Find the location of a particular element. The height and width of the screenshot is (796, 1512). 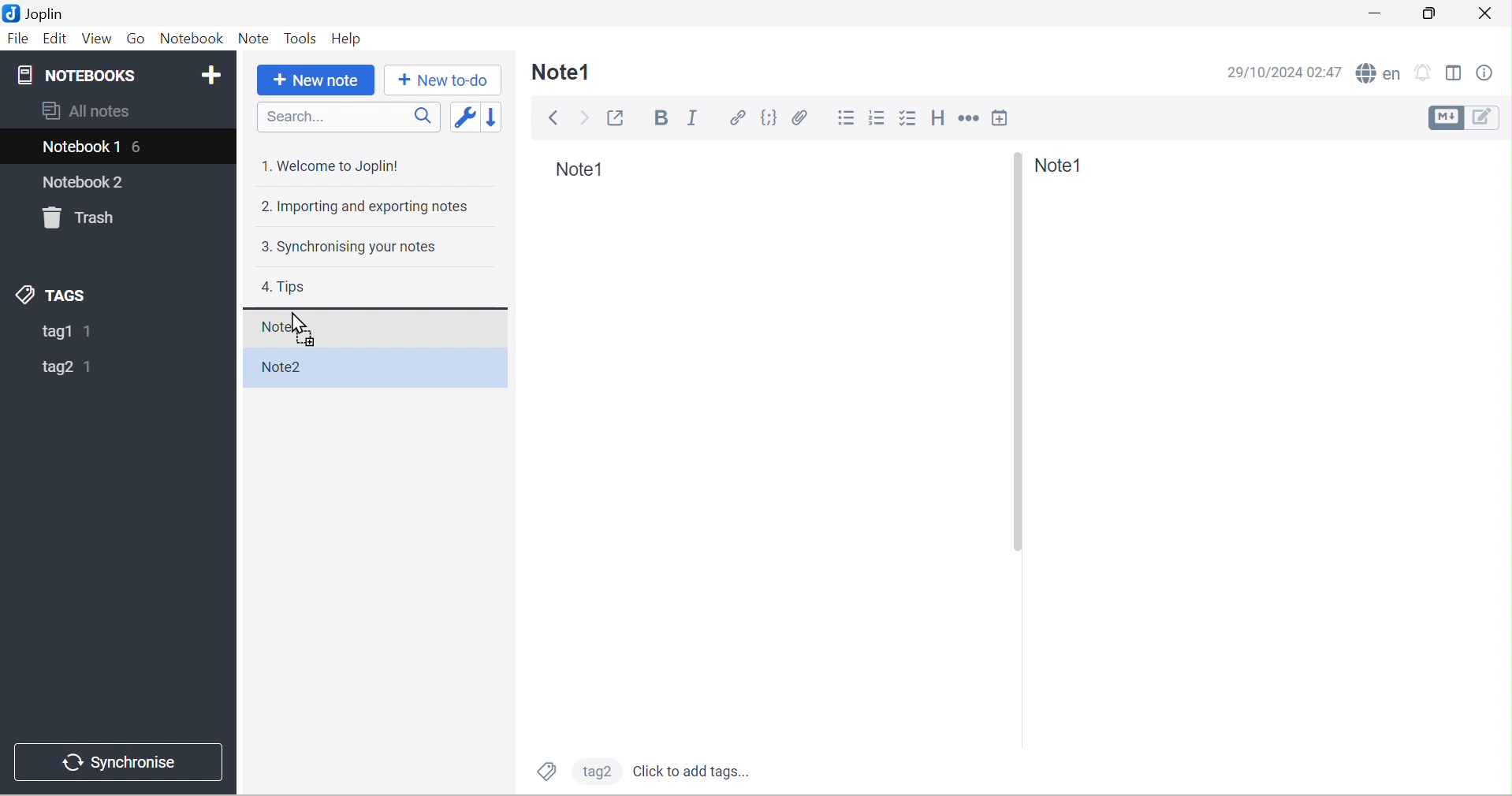

Cursor is located at coordinates (296, 325).